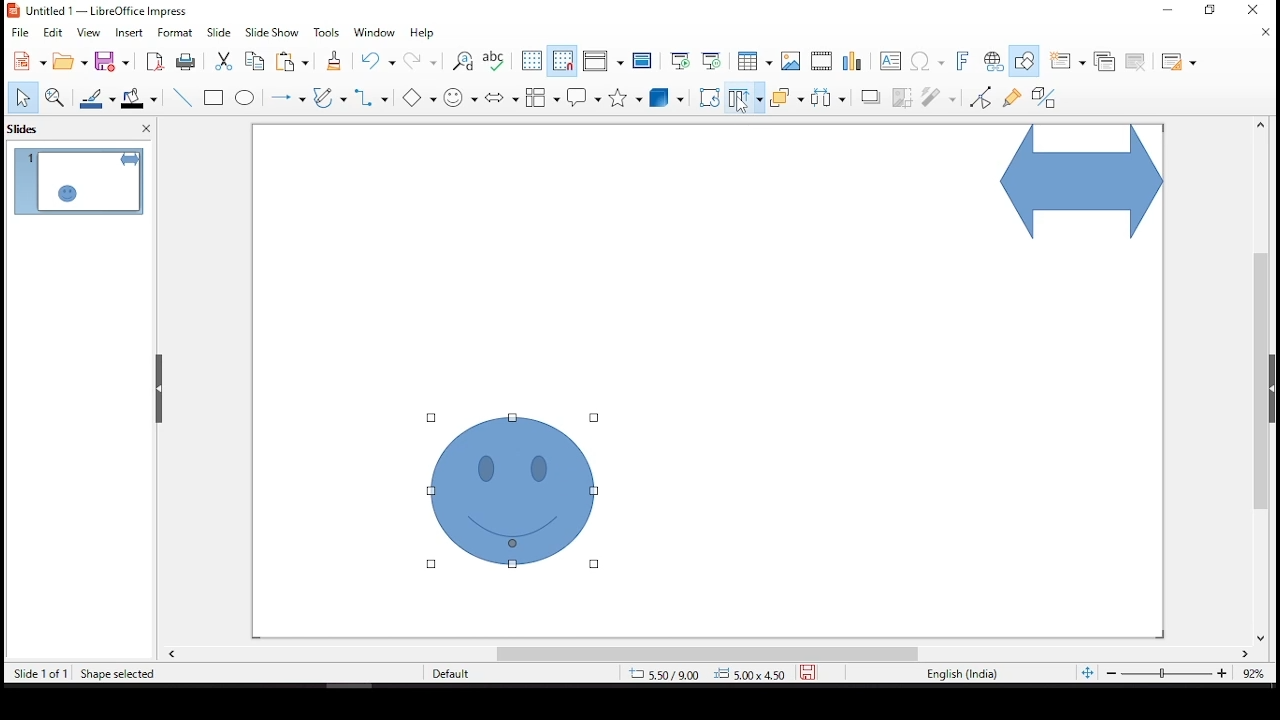 The height and width of the screenshot is (720, 1280). What do you see at coordinates (468, 674) in the screenshot?
I see `default` at bounding box center [468, 674].